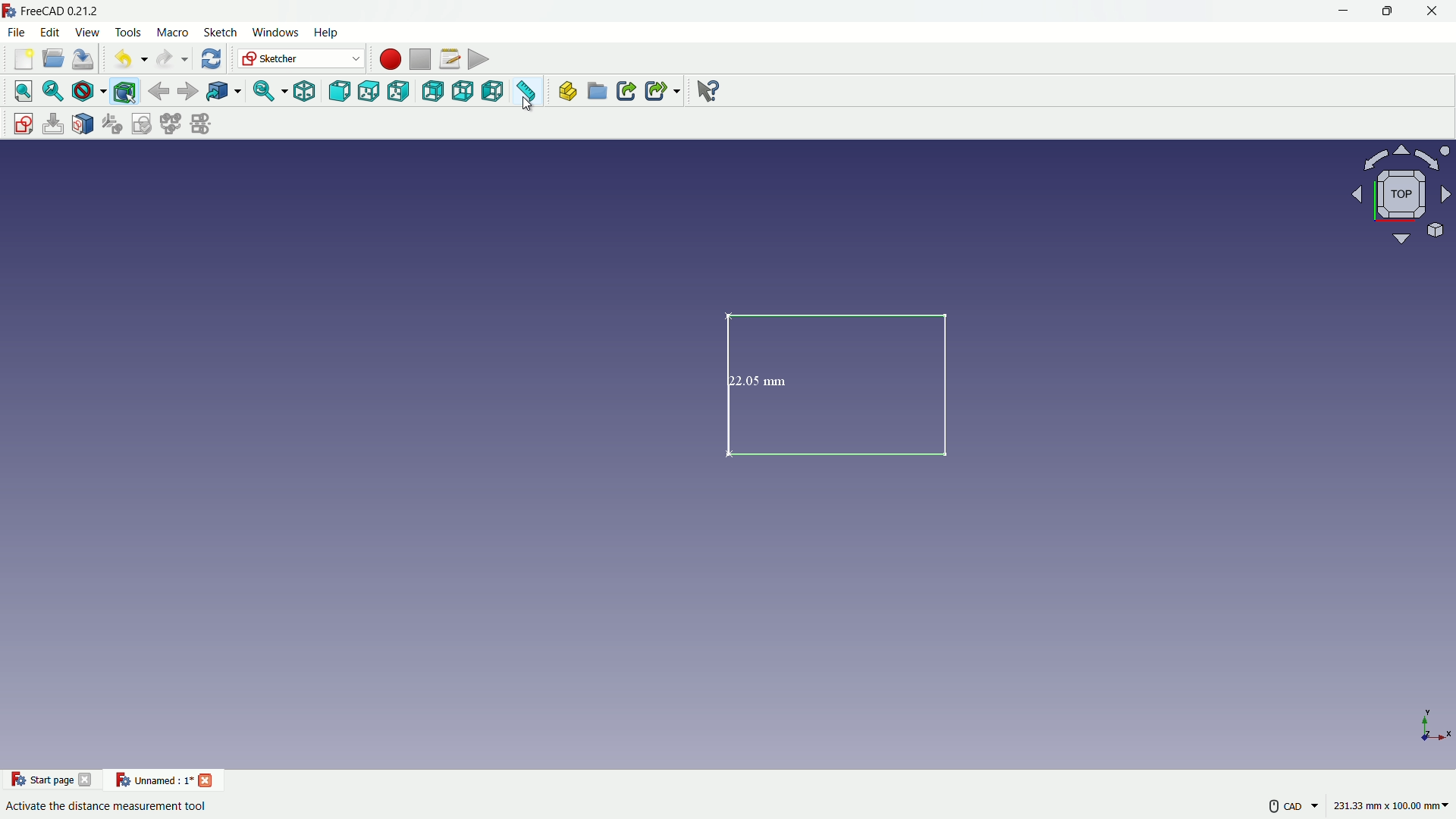 This screenshot has width=1456, height=819. I want to click on save, so click(84, 59).